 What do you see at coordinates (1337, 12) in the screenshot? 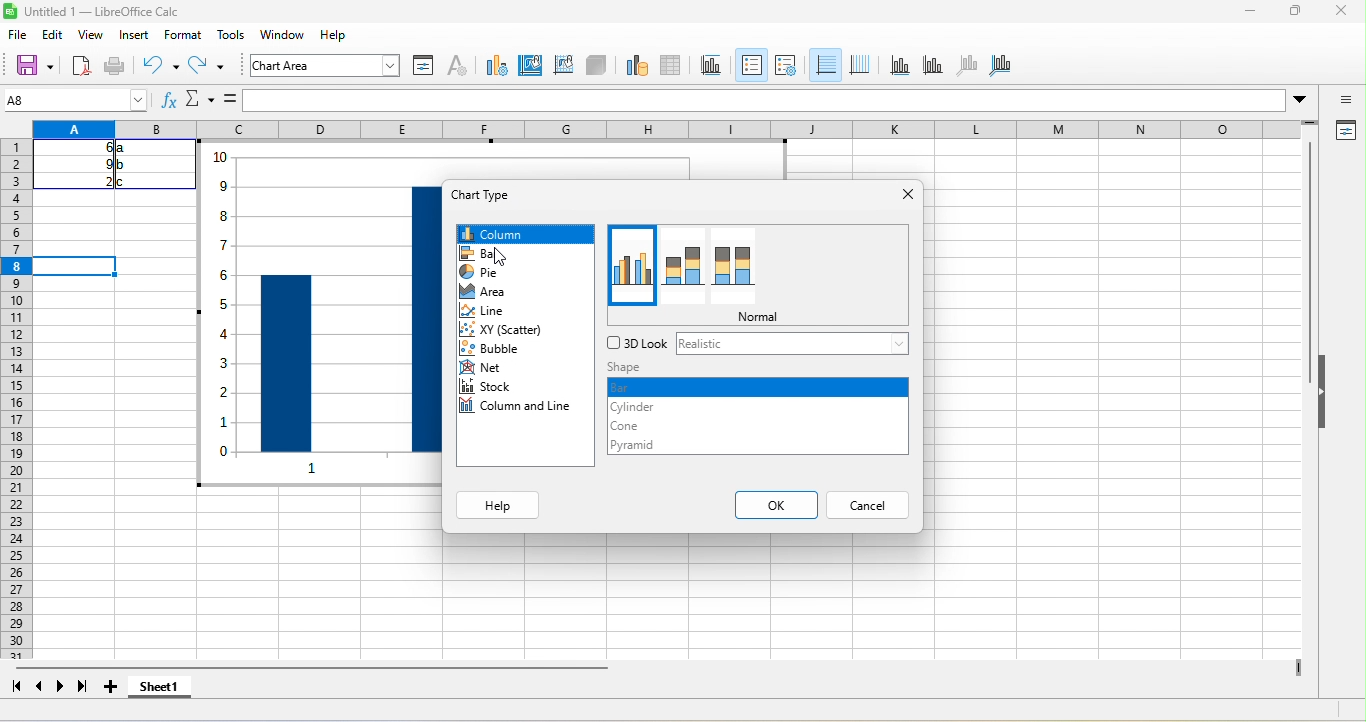
I see `close` at bounding box center [1337, 12].